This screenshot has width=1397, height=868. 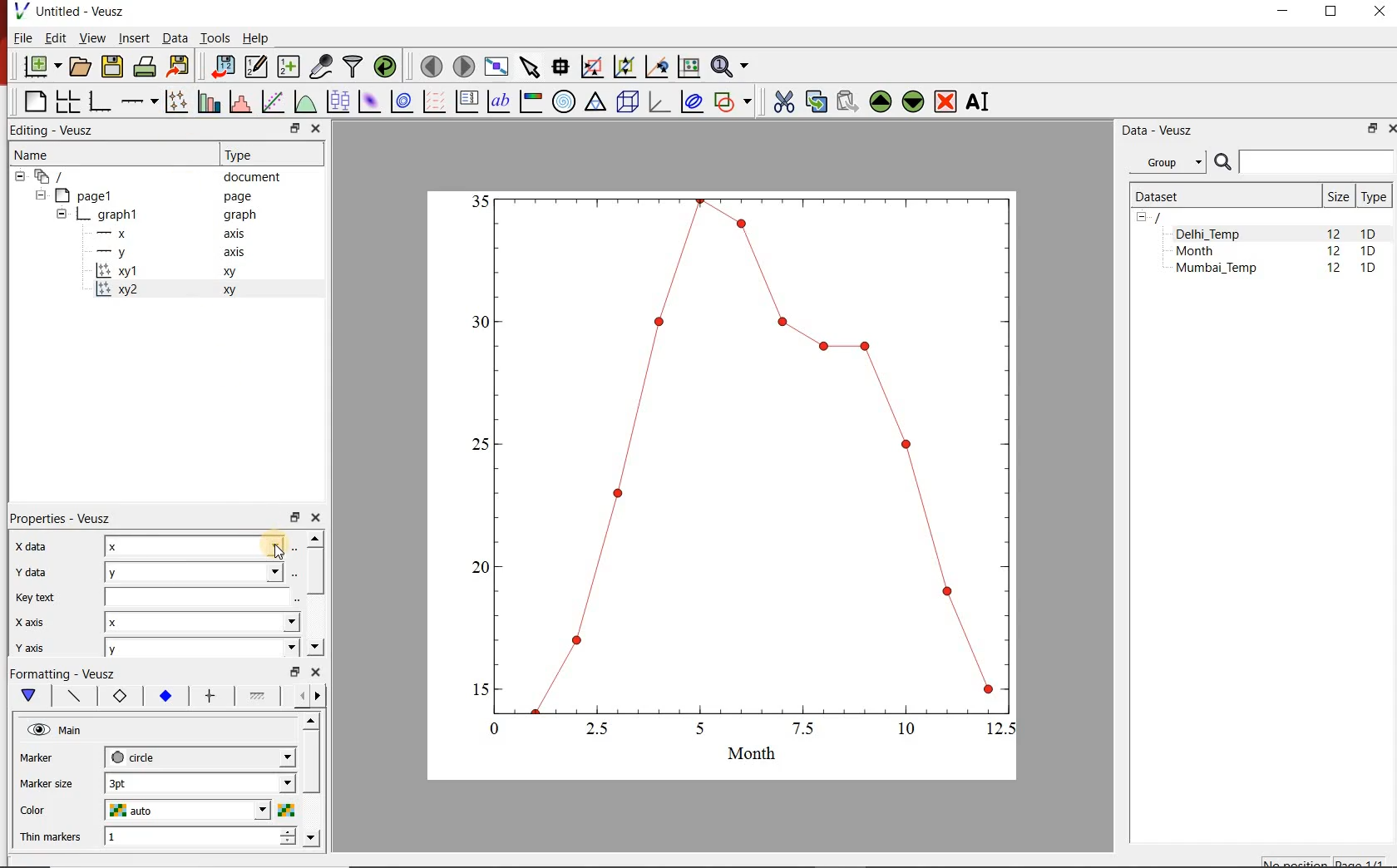 I want to click on add a shape to the plot, so click(x=733, y=103).